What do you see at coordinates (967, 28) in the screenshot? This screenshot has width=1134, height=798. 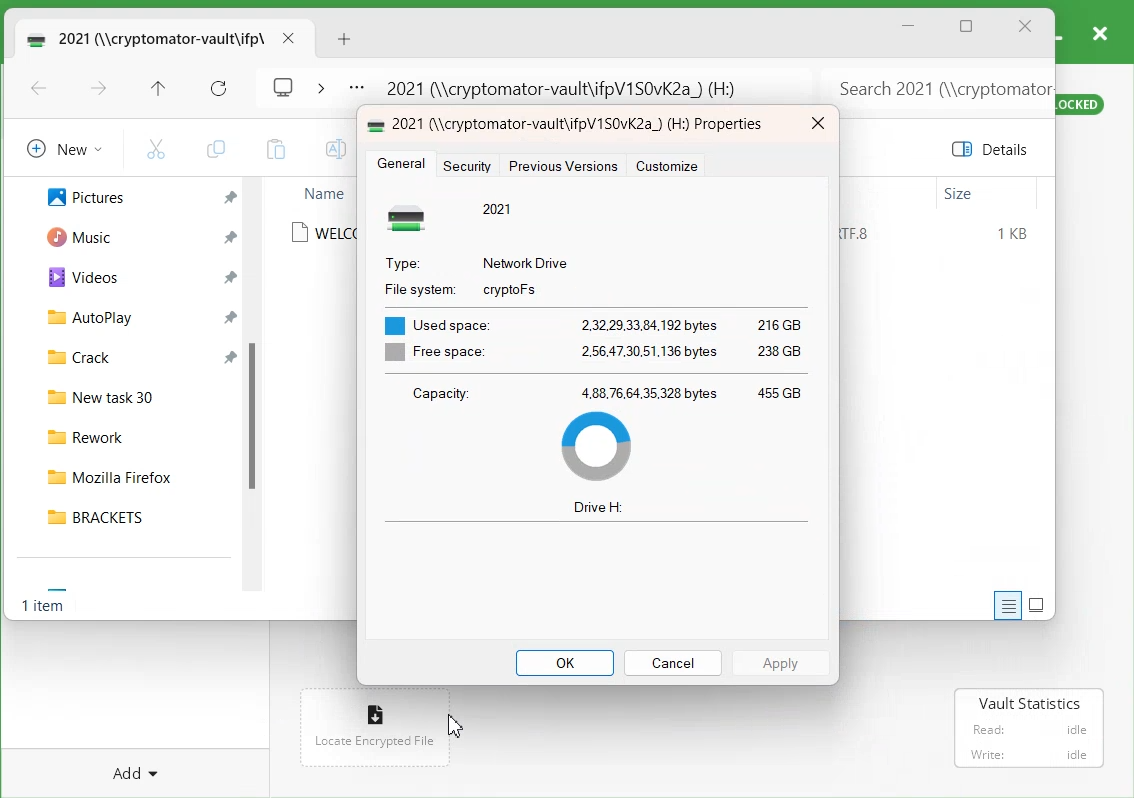 I see `Maximize` at bounding box center [967, 28].